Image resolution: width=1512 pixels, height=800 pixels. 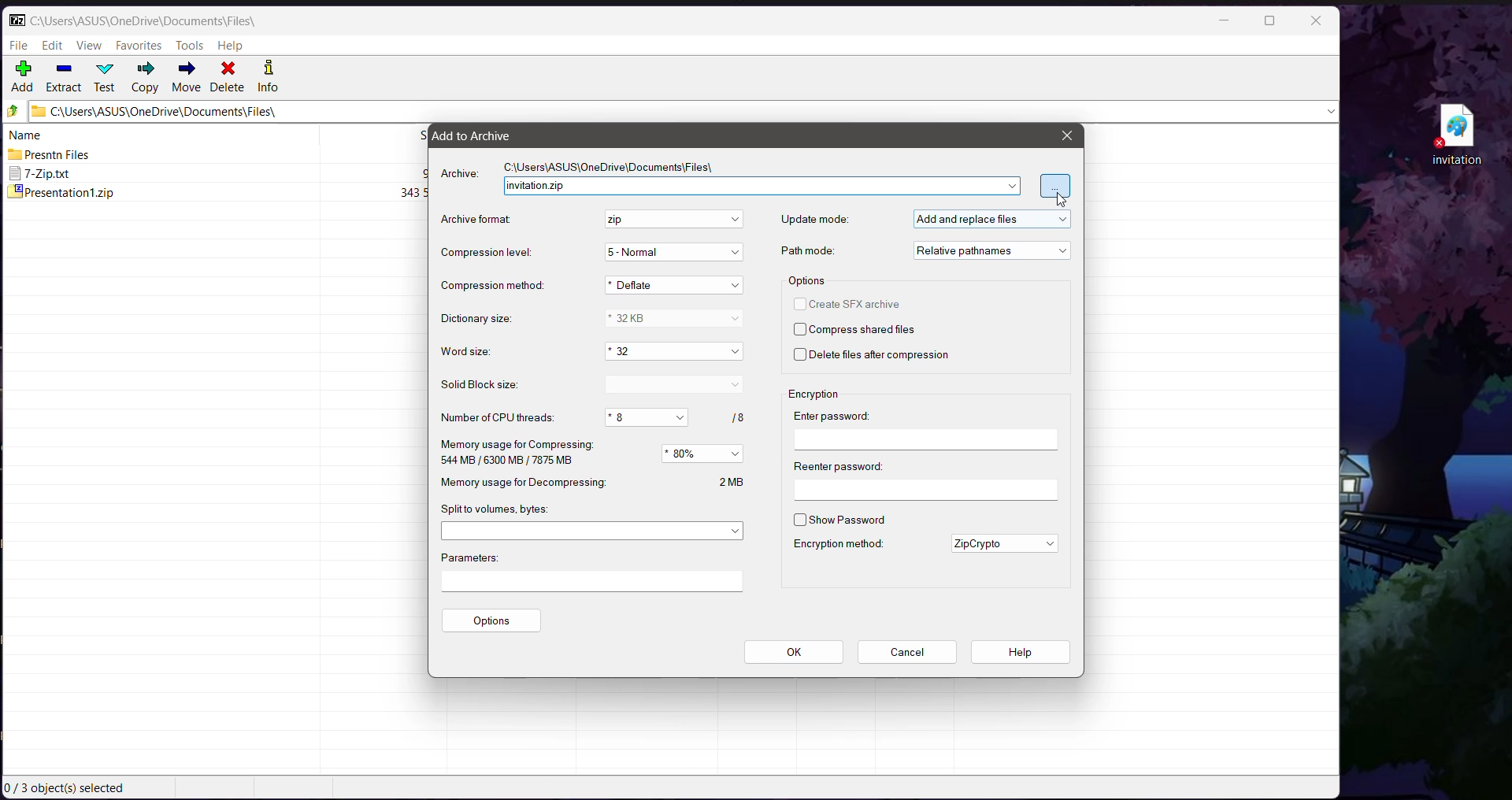 What do you see at coordinates (490, 253) in the screenshot?
I see `Compression Level` at bounding box center [490, 253].